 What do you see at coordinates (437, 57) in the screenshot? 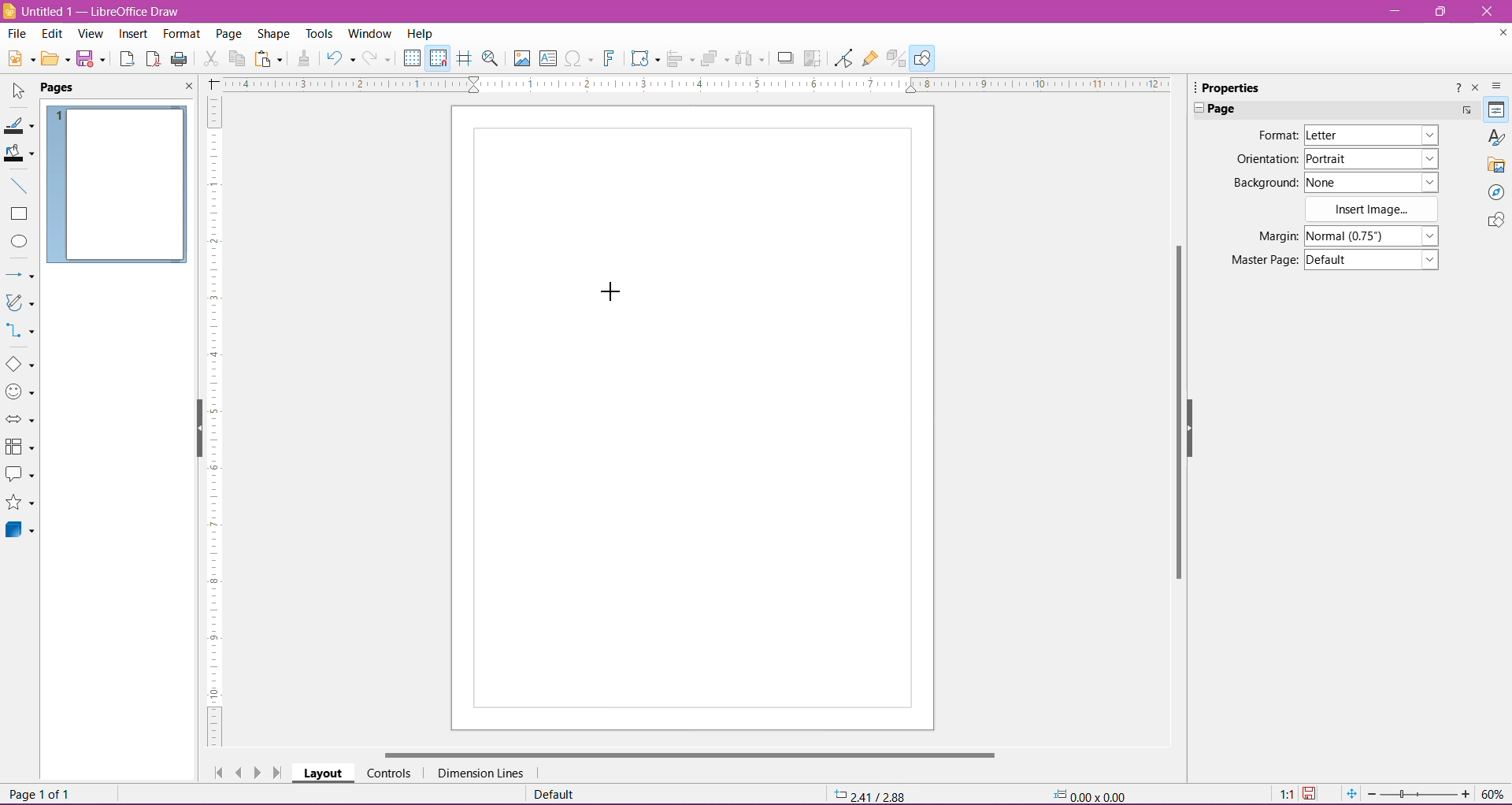
I see `Snap to Grid` at bounding box center [437, 57].